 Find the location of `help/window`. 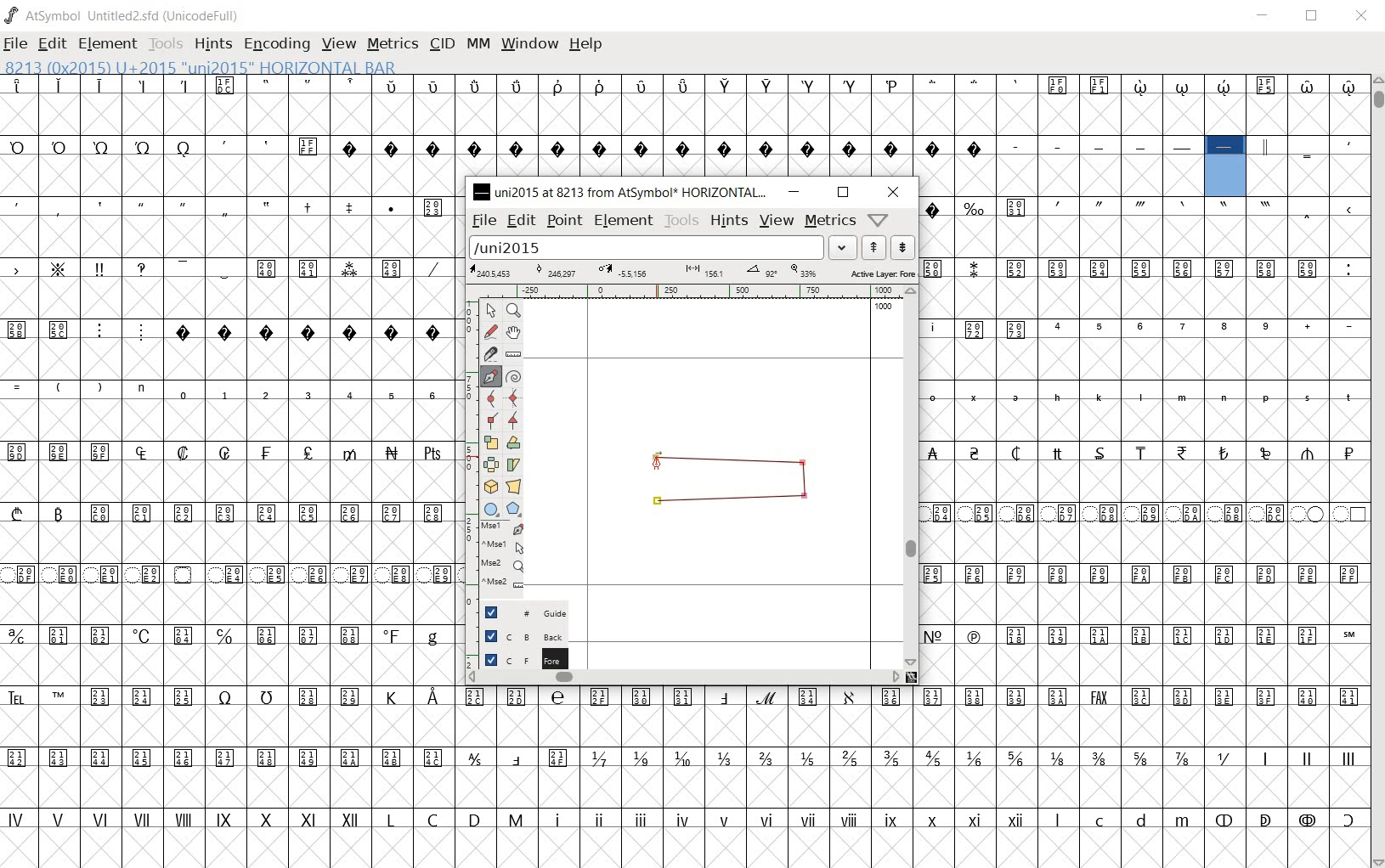

help/window is located at coordinates (877, 220).